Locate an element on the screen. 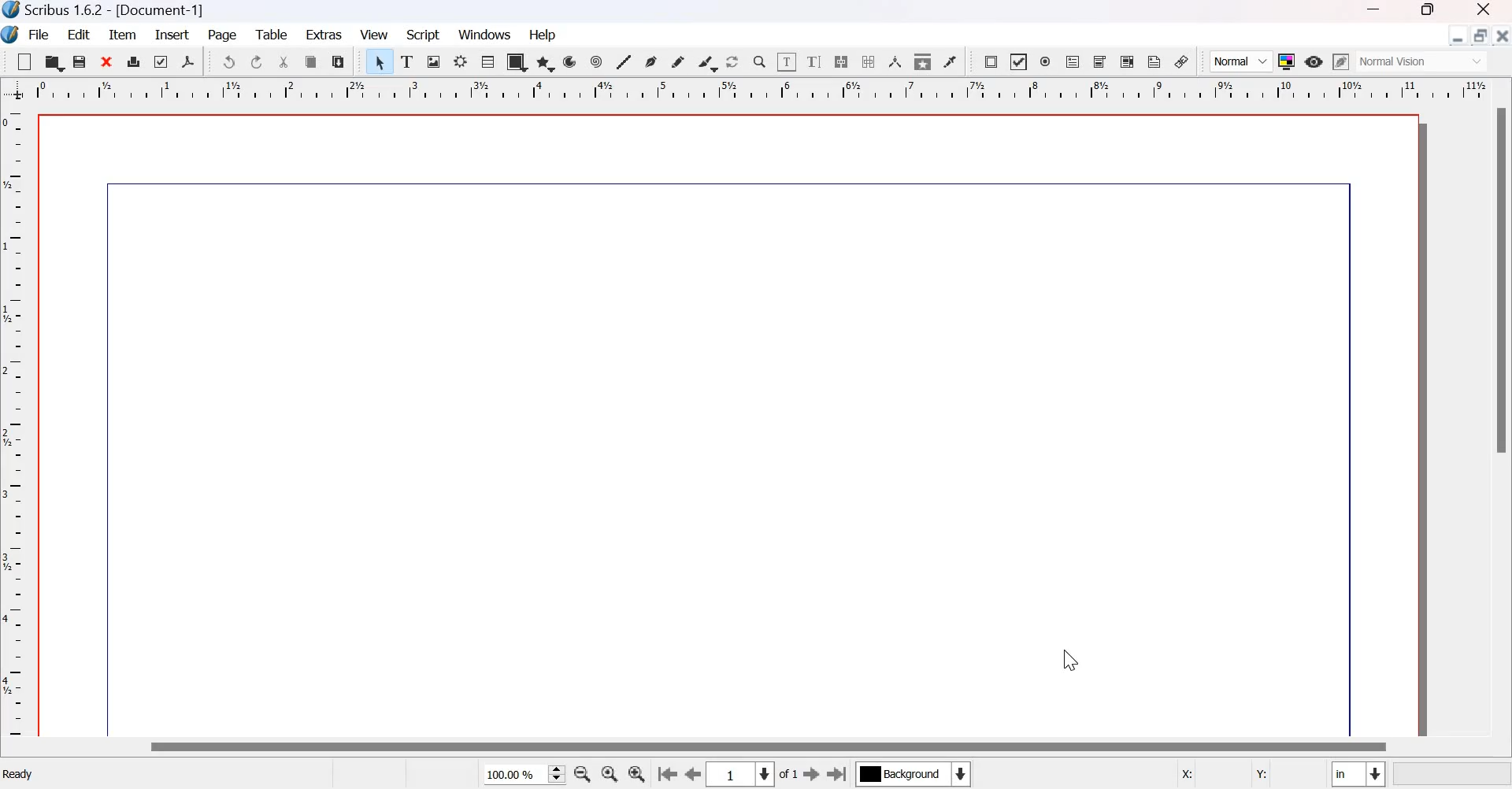  calligraphic line is located at coordinates (707, 62).